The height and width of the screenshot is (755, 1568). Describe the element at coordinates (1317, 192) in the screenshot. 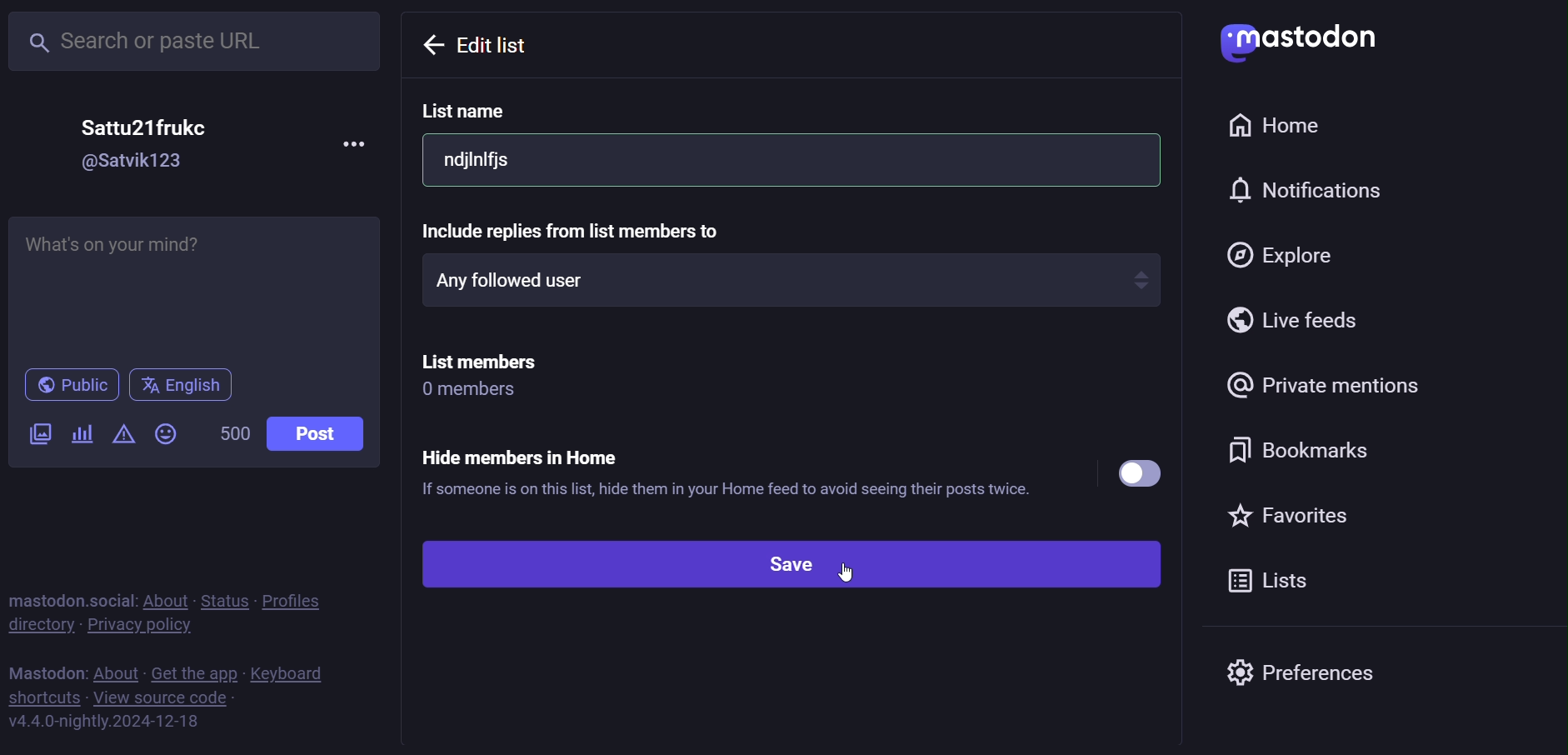

I see `notification` at that location.